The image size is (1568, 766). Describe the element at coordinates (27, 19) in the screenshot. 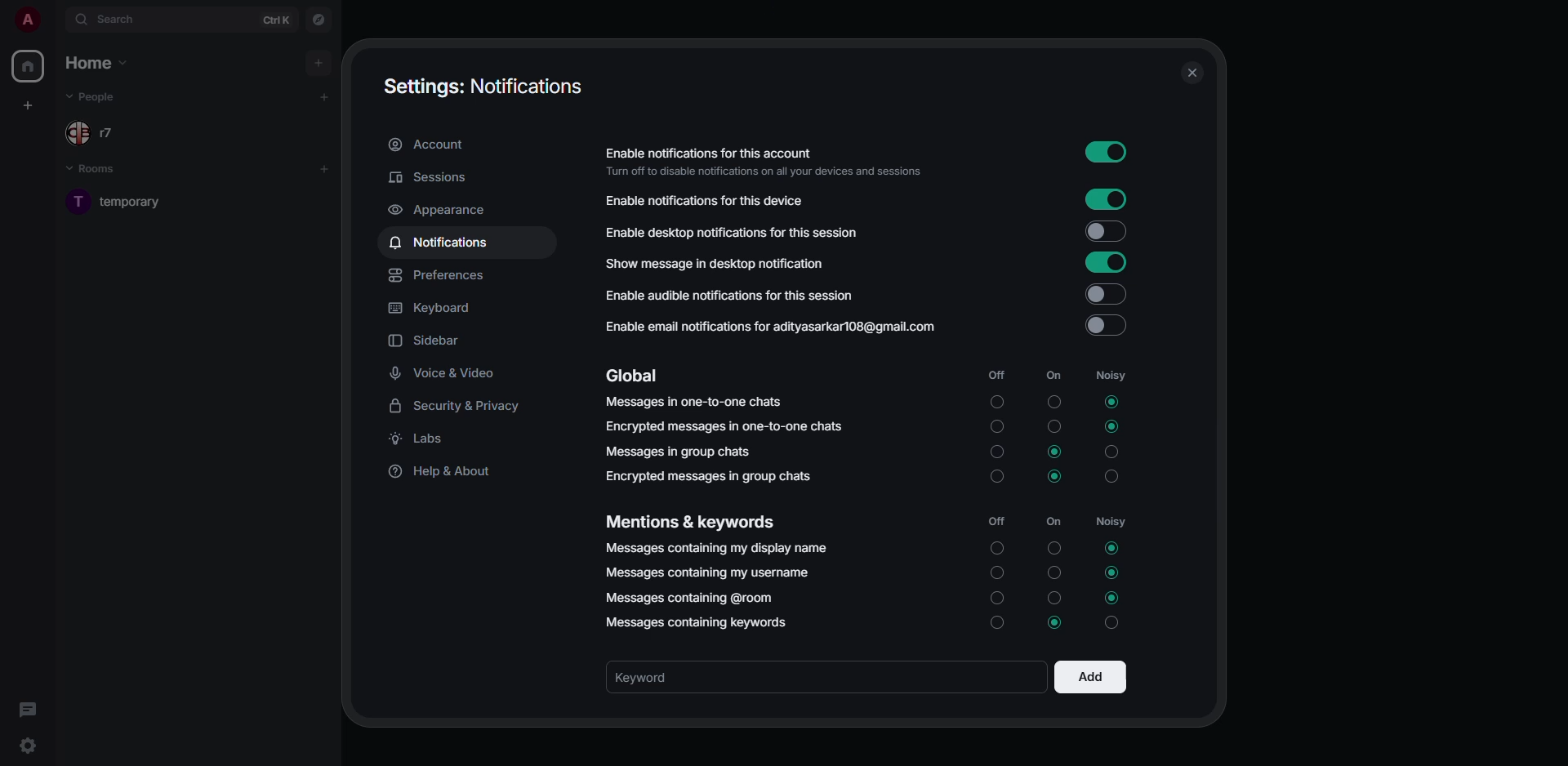

I see `profile` at that location.